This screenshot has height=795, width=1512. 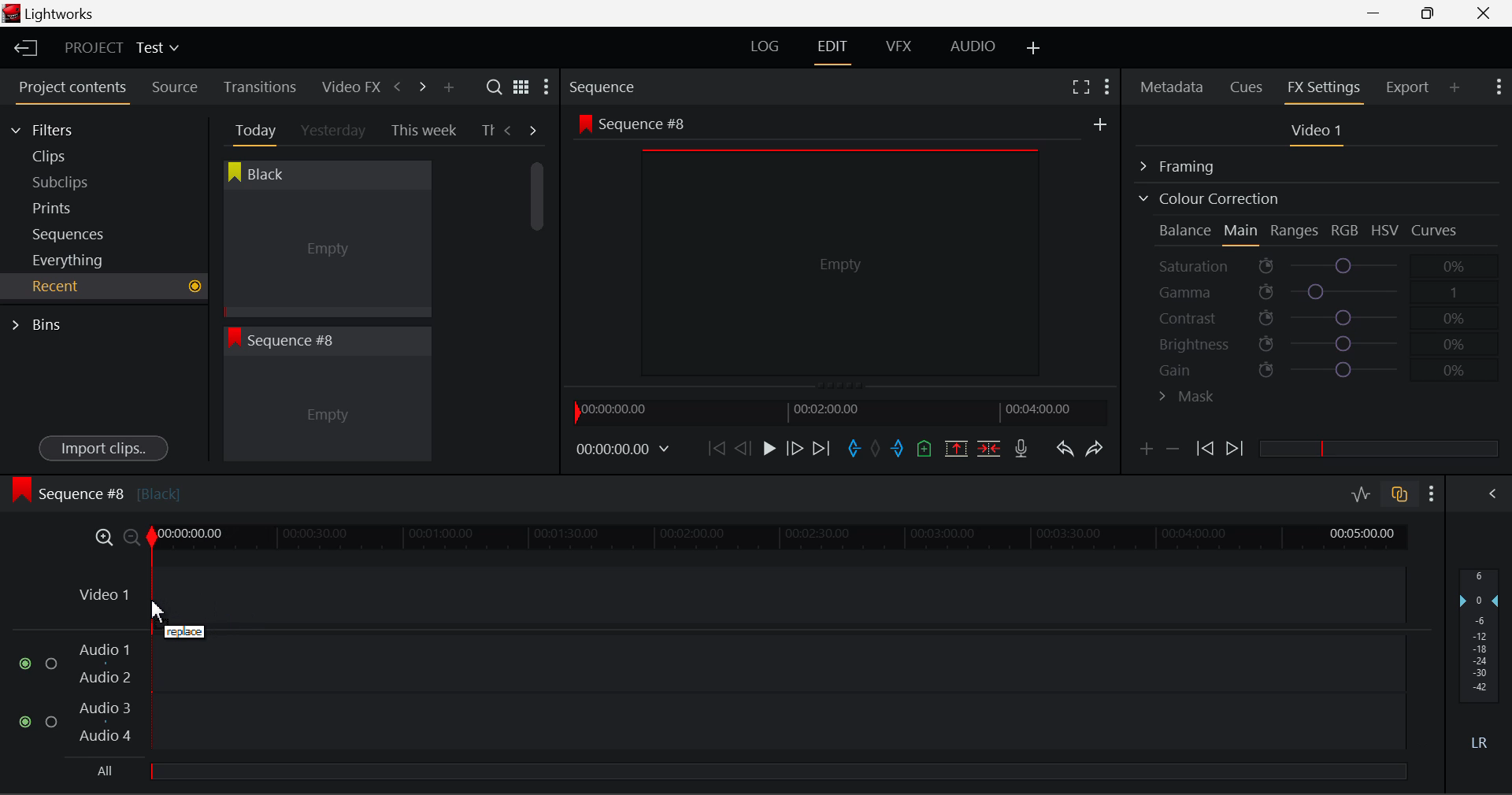 What do you see at coordinates (325, 256) in the screenshot?
I see `Cursor MOUSE_DOWN on Black Clip` at bounding box center [325, 256].